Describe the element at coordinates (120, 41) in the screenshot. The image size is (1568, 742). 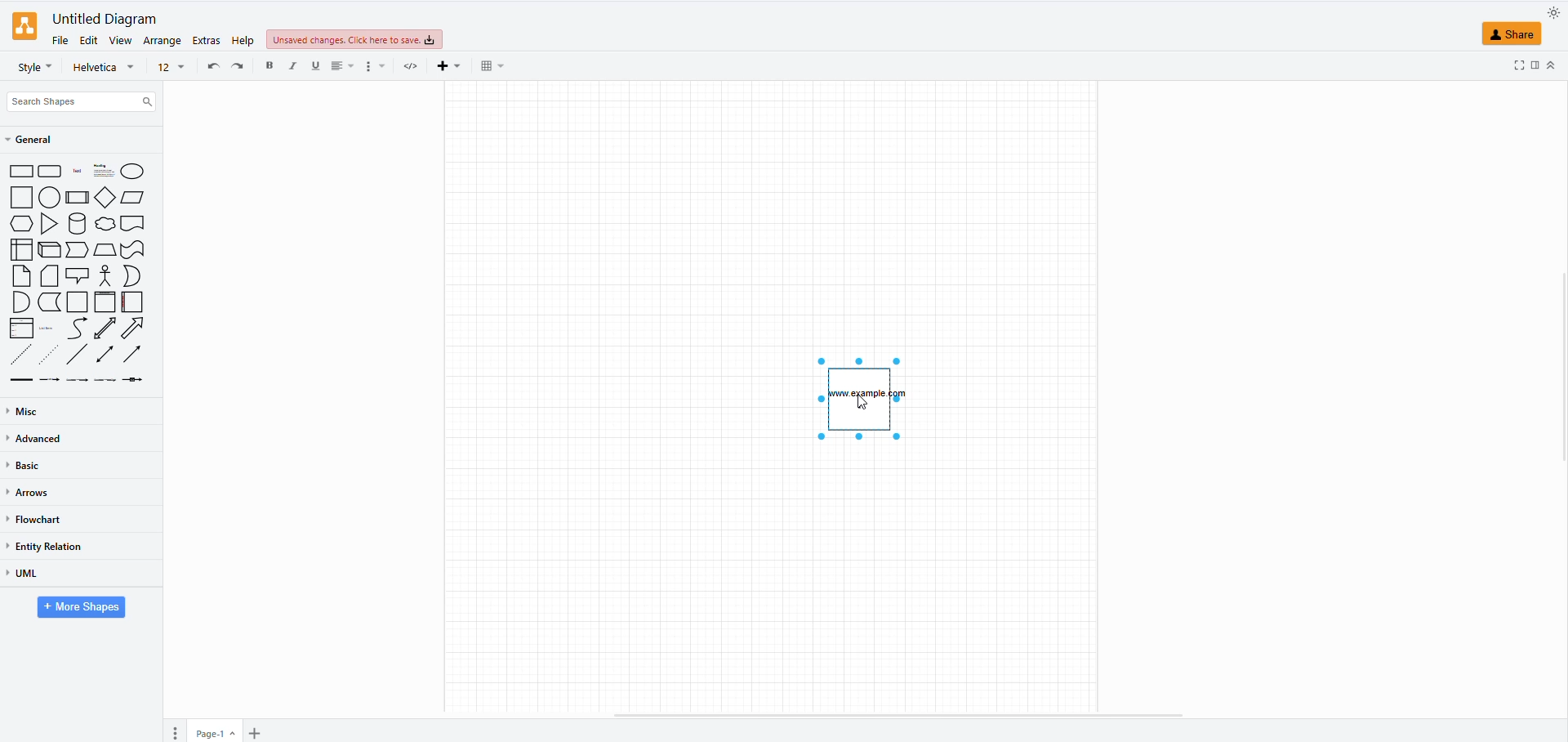
I see `view` at that location.